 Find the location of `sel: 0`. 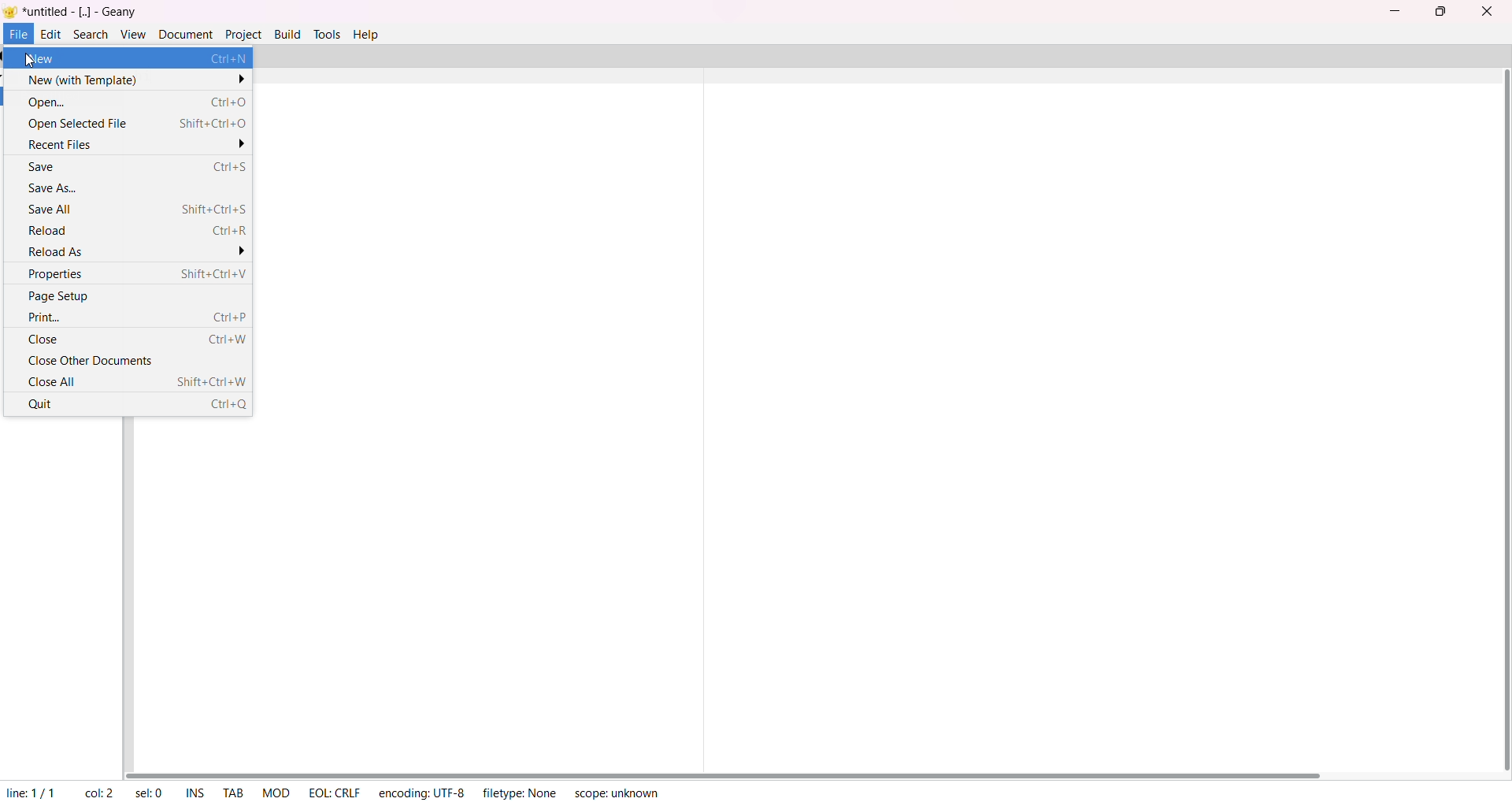

sel: 0 is located at coordinates (148, 790).